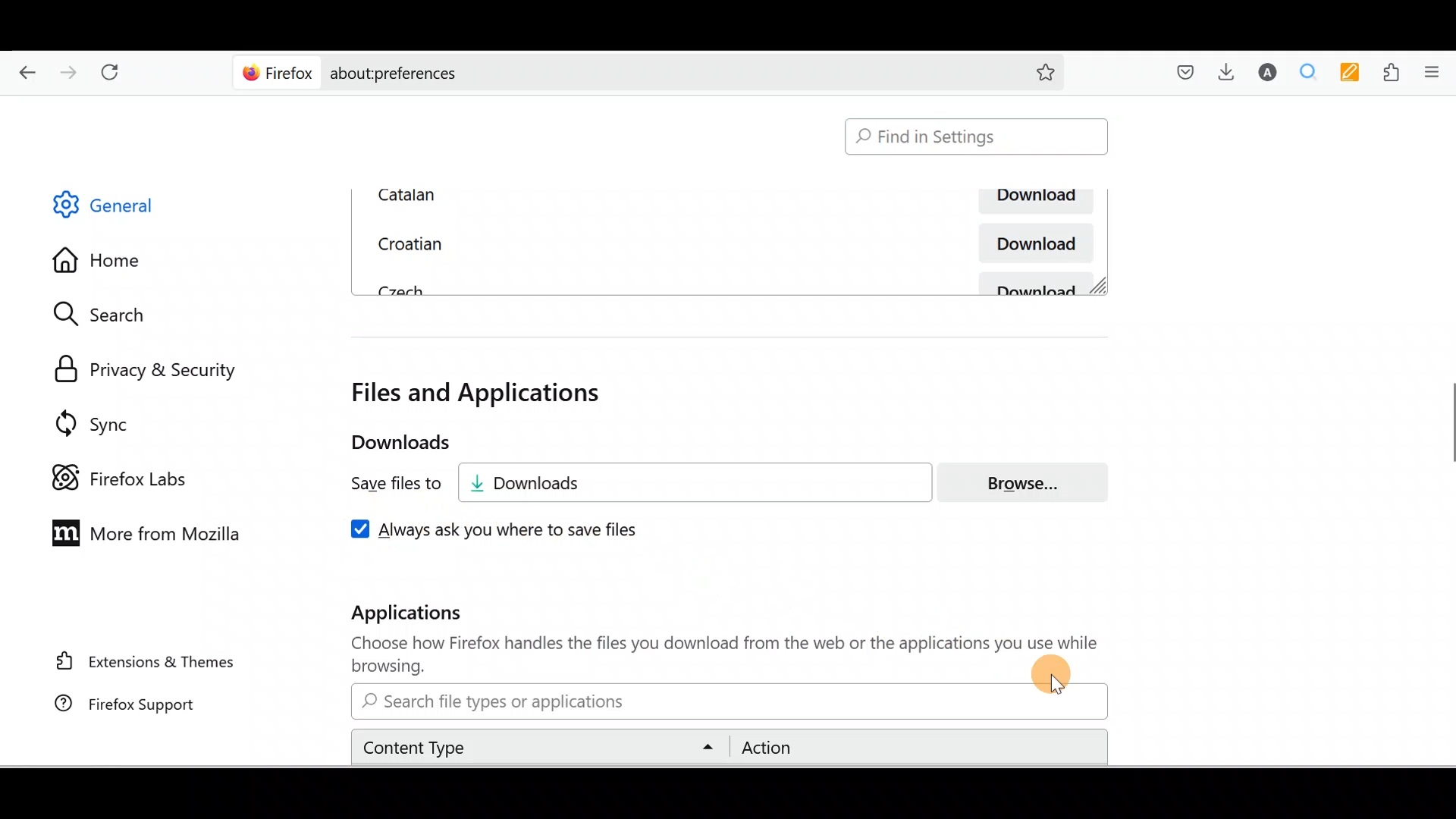  I want to click on Extension & themes, so click(134, 665).